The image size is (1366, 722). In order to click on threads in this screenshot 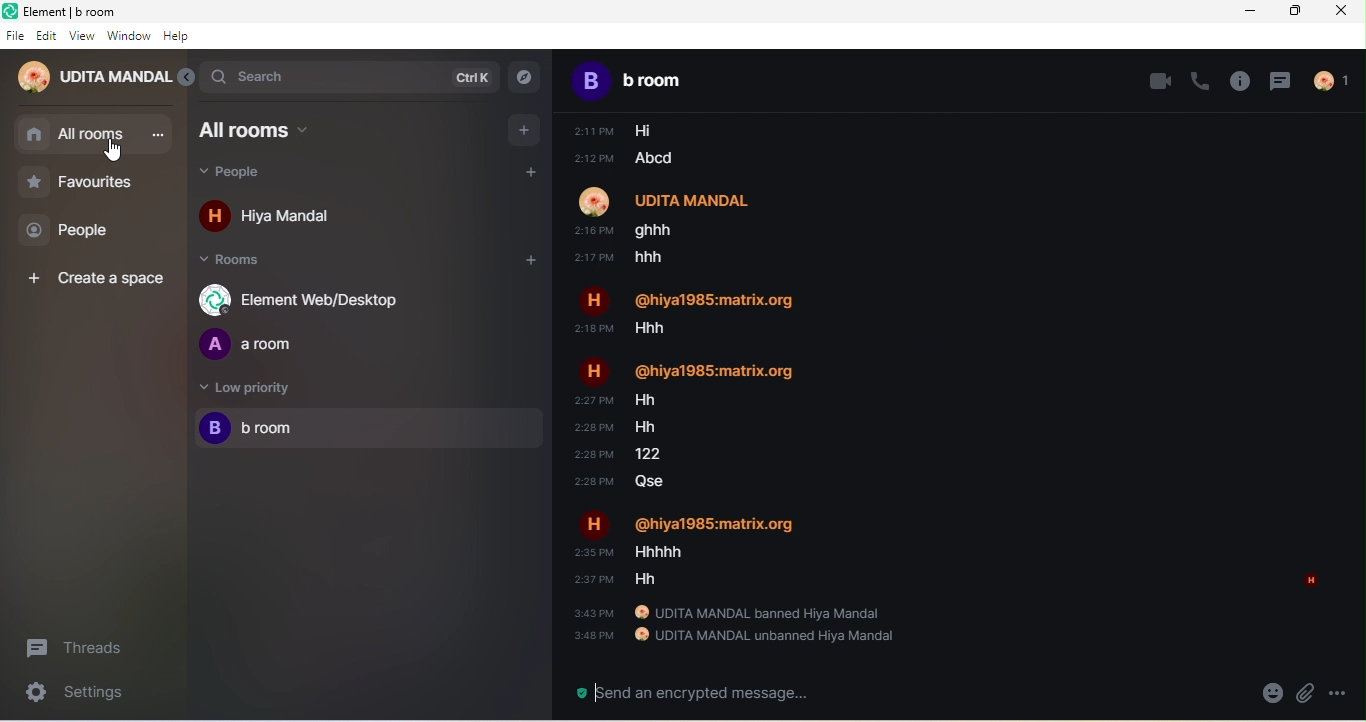, I will do `click(1280, 80)`.